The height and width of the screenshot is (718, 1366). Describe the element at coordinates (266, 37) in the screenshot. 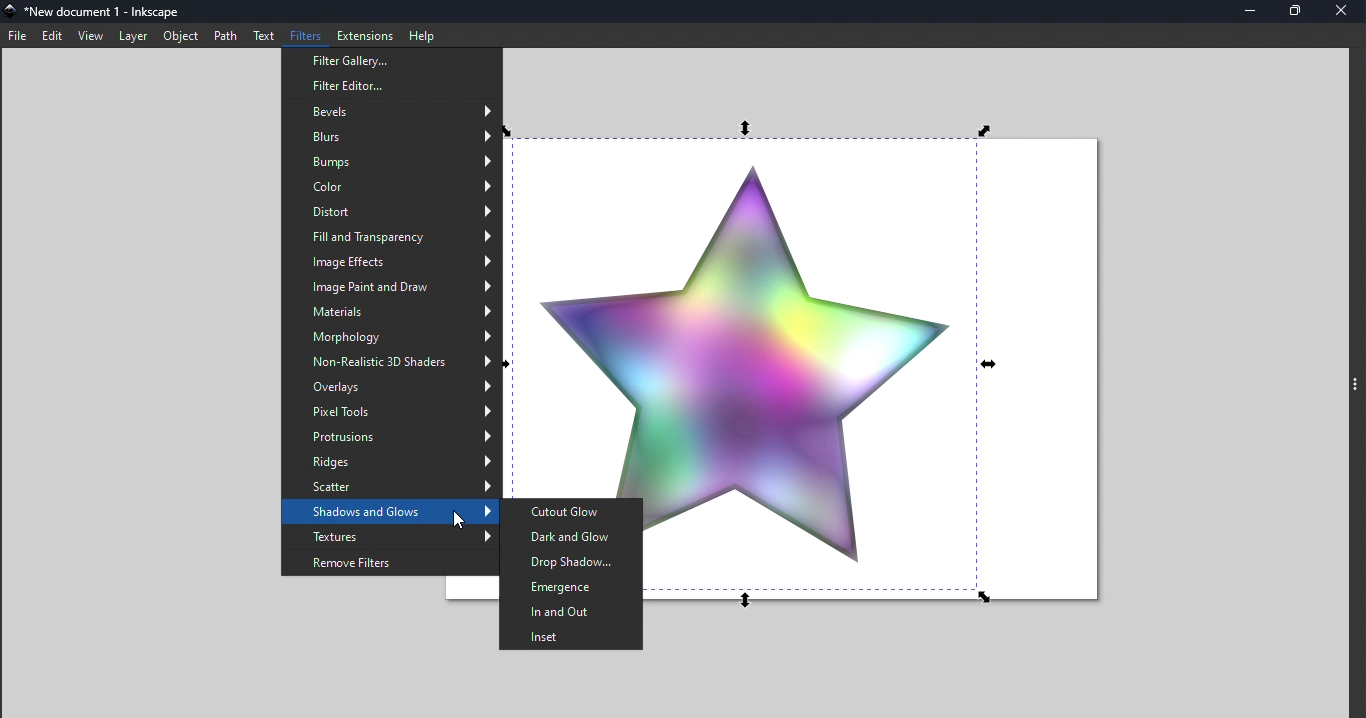

I see `Text` at that location.